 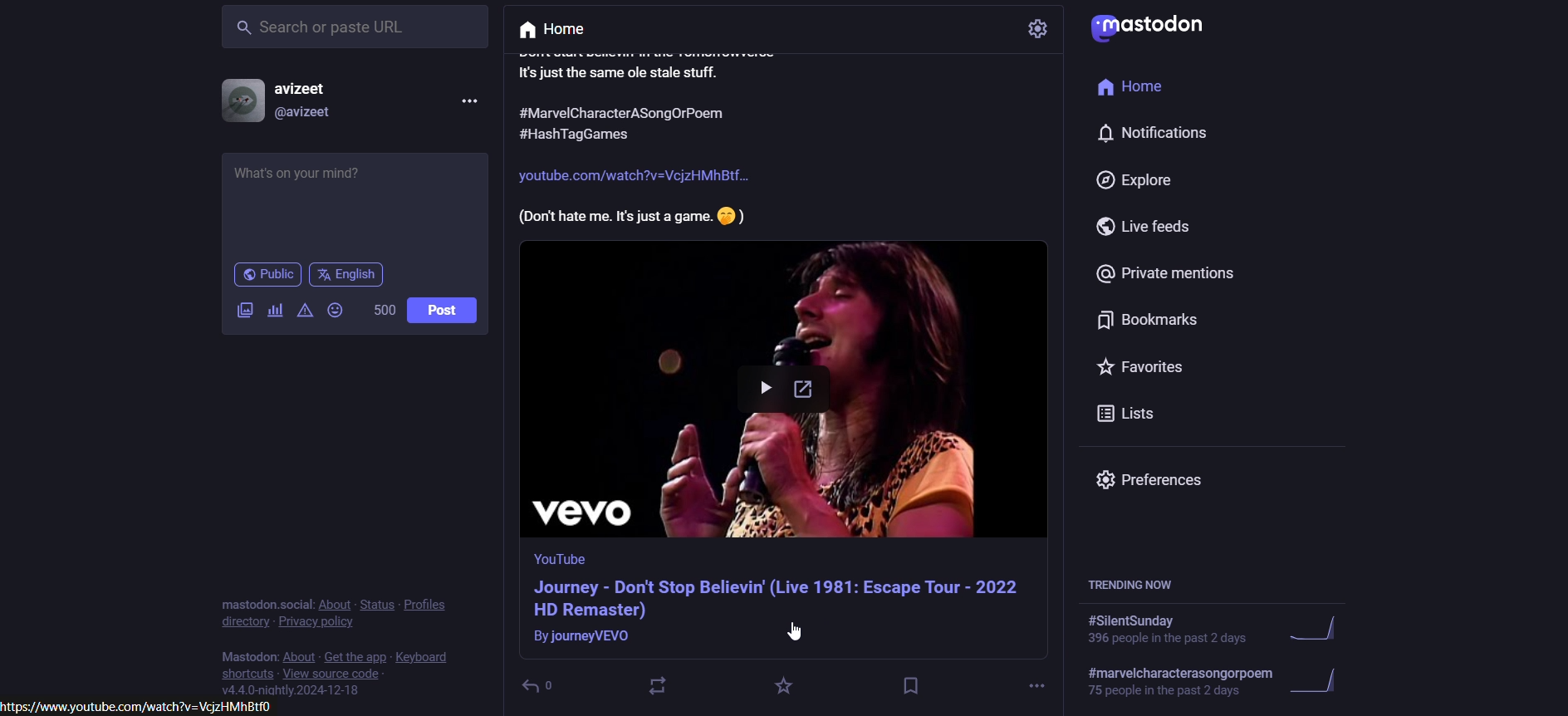 I want to click on bookmark, so click(x=906, y=684).